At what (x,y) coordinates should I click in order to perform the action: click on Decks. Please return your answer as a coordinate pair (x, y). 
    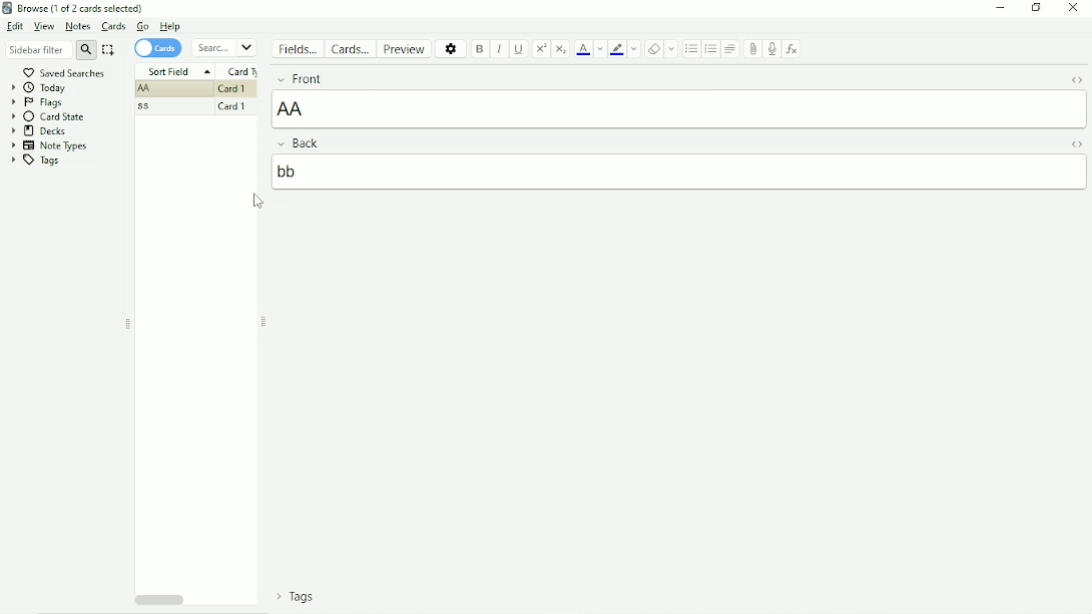
    Looking at the image, I should click on (41, 131).